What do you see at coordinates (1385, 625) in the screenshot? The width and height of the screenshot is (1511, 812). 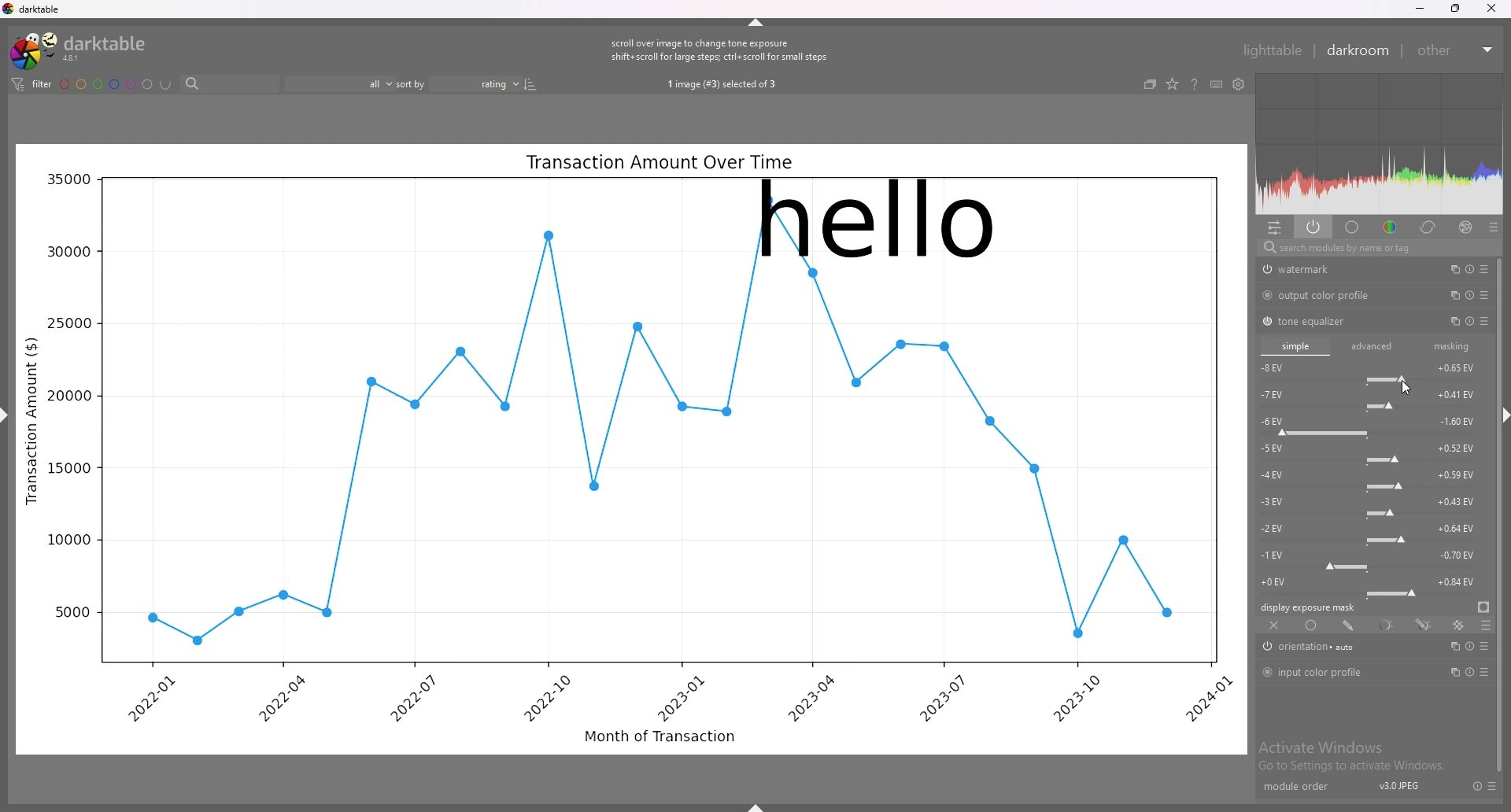 I see `parametric mask` at bounding box center [1385, 625].